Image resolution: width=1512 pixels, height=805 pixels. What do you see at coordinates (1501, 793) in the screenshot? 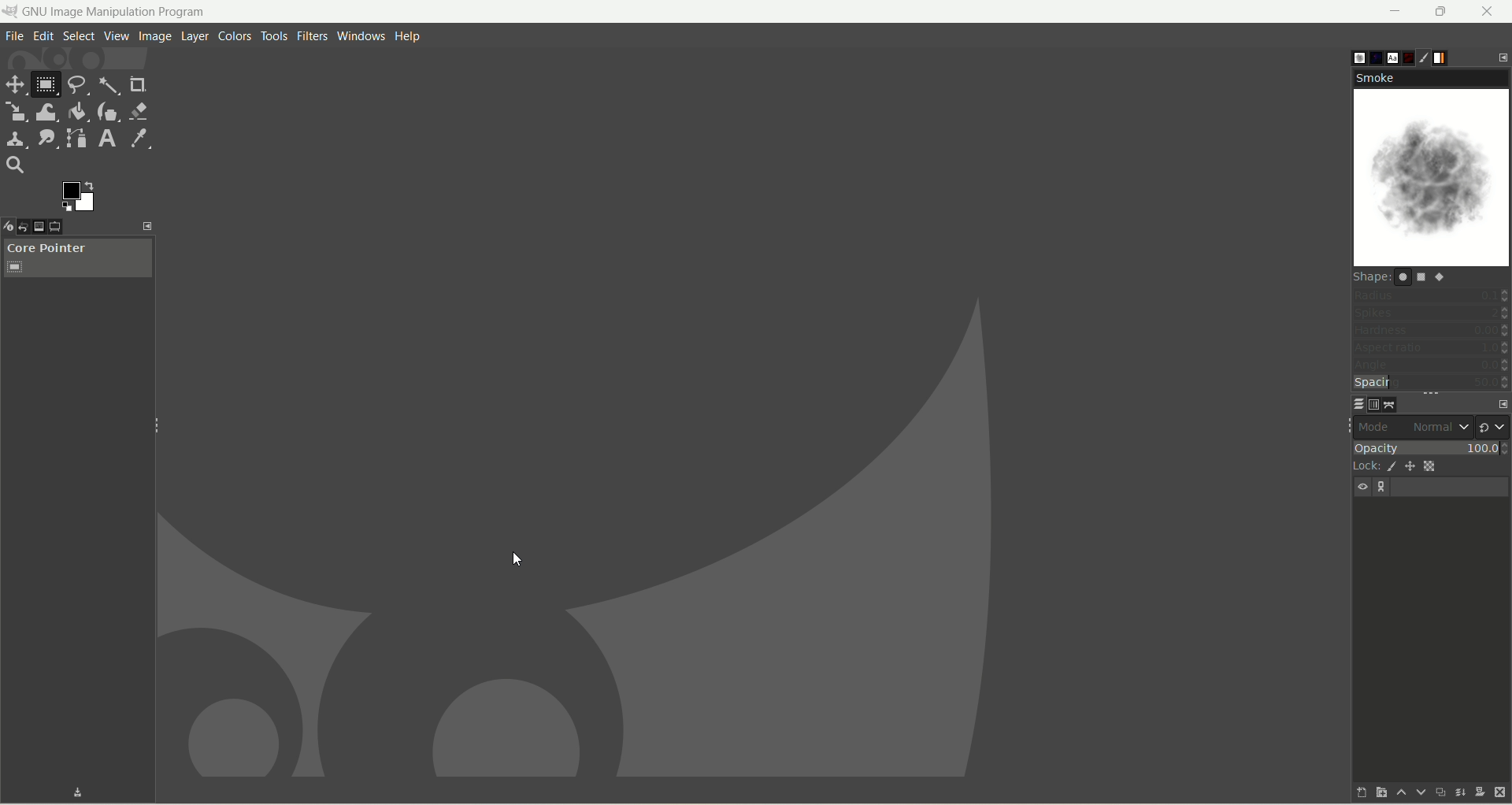
I see `delete this layer` at bounding box center [1501, 793].